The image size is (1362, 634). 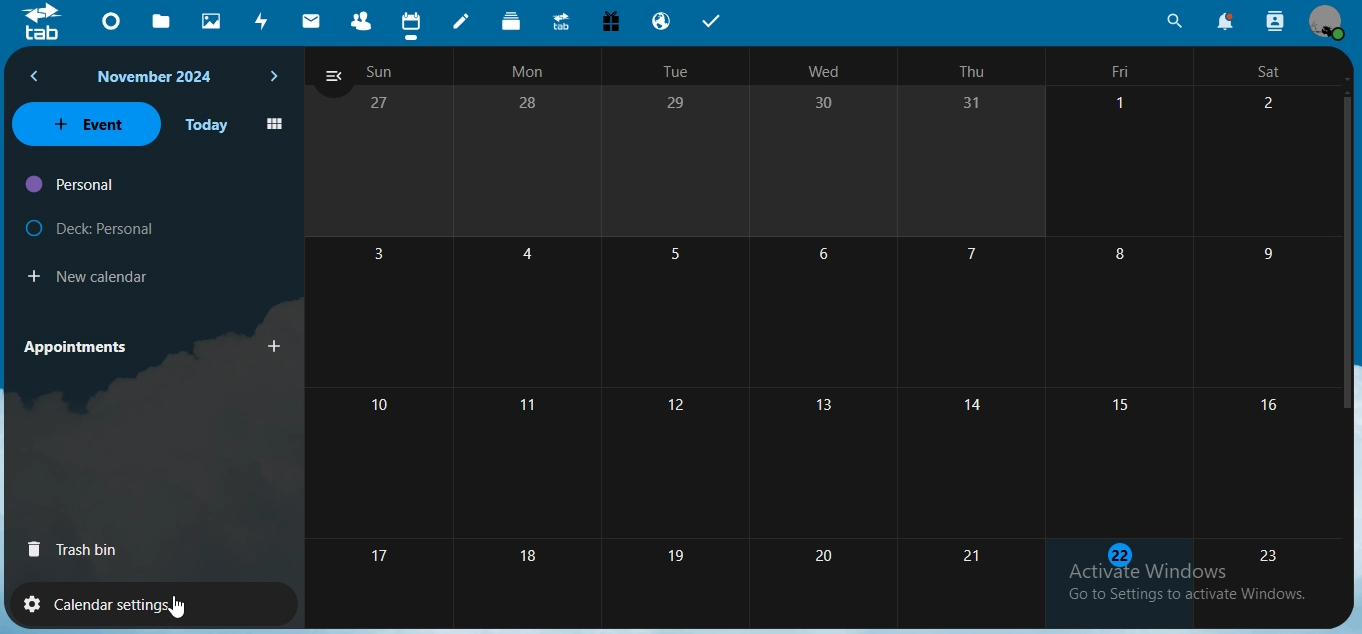 I want to click on today, so click(x=207, y=125).